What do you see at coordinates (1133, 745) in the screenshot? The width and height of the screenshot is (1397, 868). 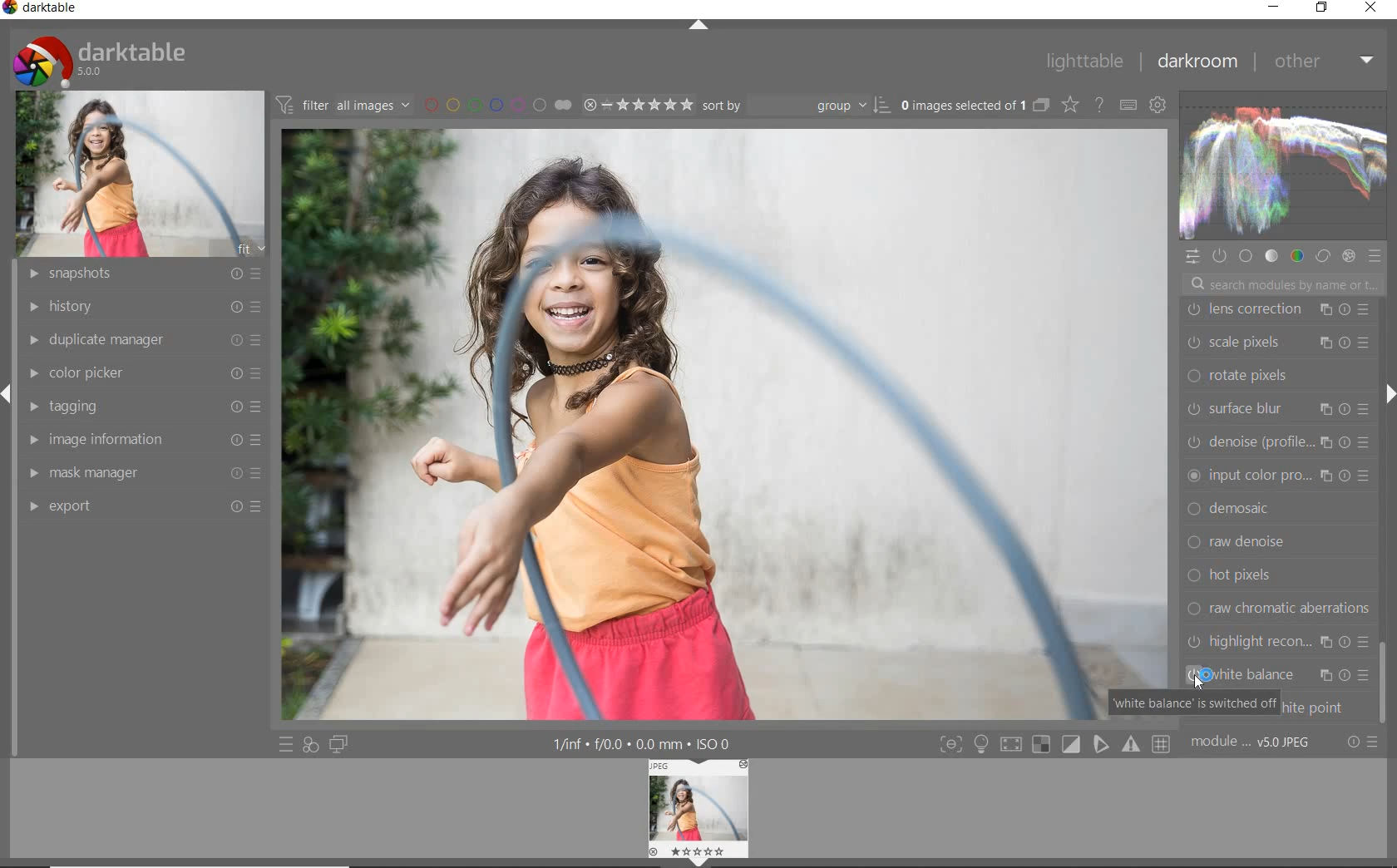 I see `toggle mode ` at bounding box center [1133, 745].